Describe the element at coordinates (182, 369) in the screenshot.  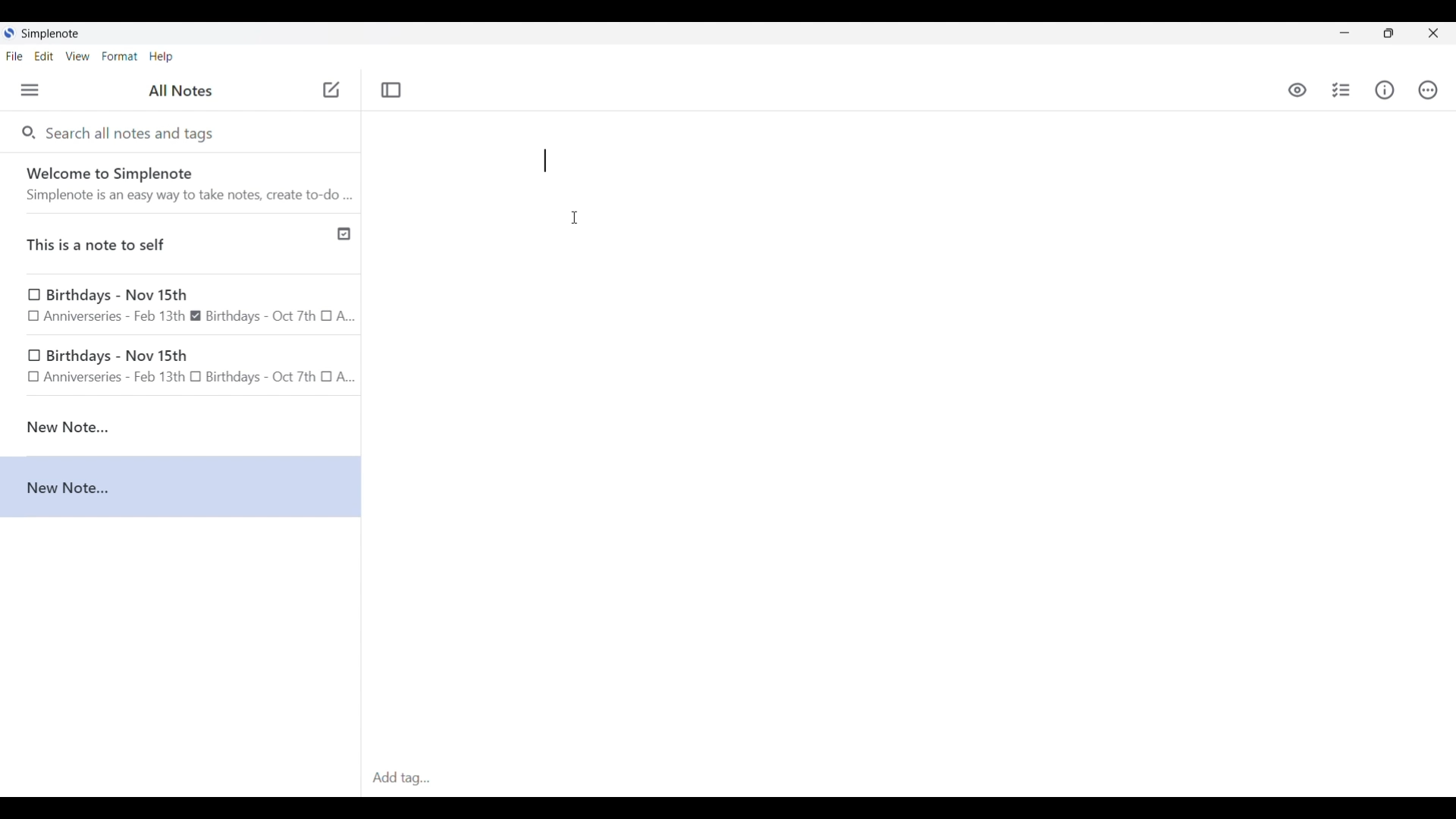
I see `birthday note` at that location.